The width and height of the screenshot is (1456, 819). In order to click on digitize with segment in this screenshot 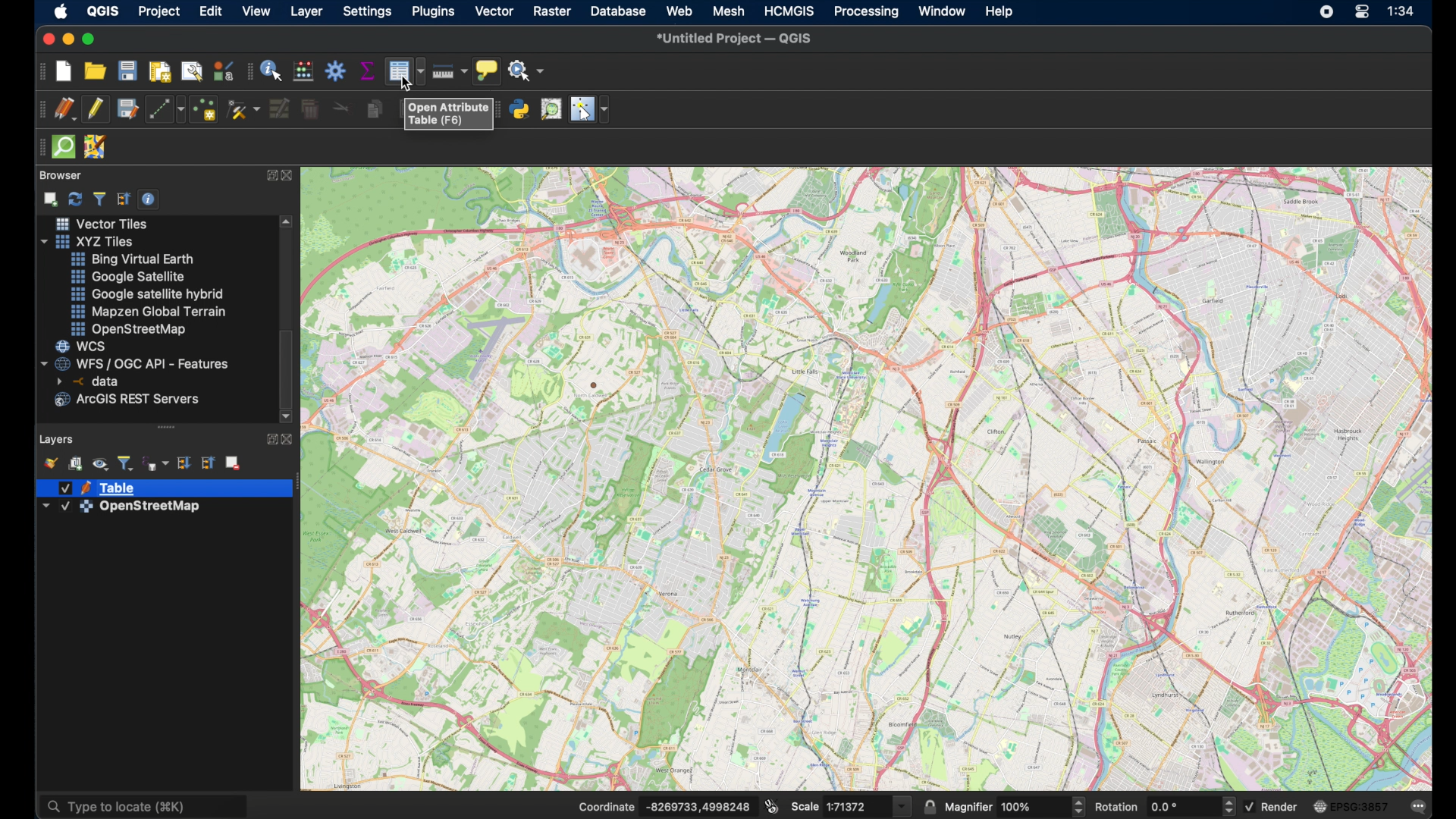, I will do `click(165, 109)`.